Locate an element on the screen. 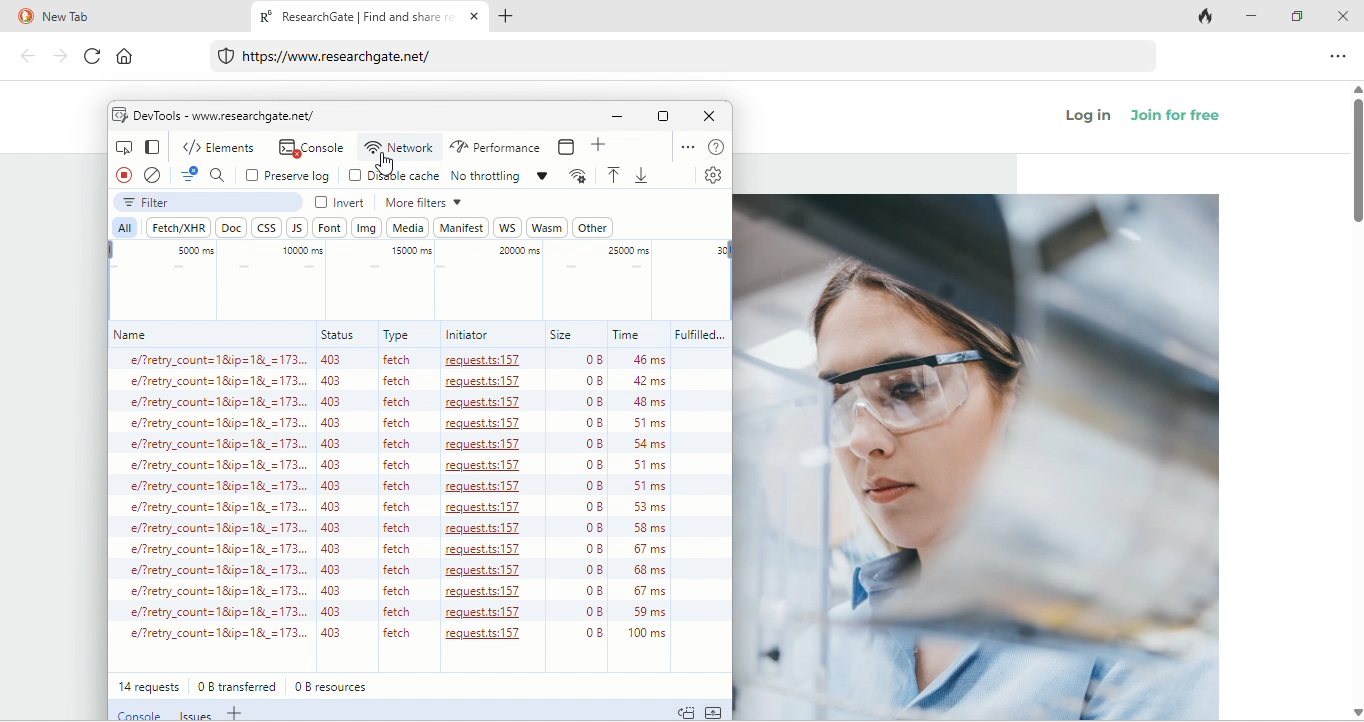 Image resolution: width=1364 pixels, height=722 pixels. type is located at coordinates (398, 335).